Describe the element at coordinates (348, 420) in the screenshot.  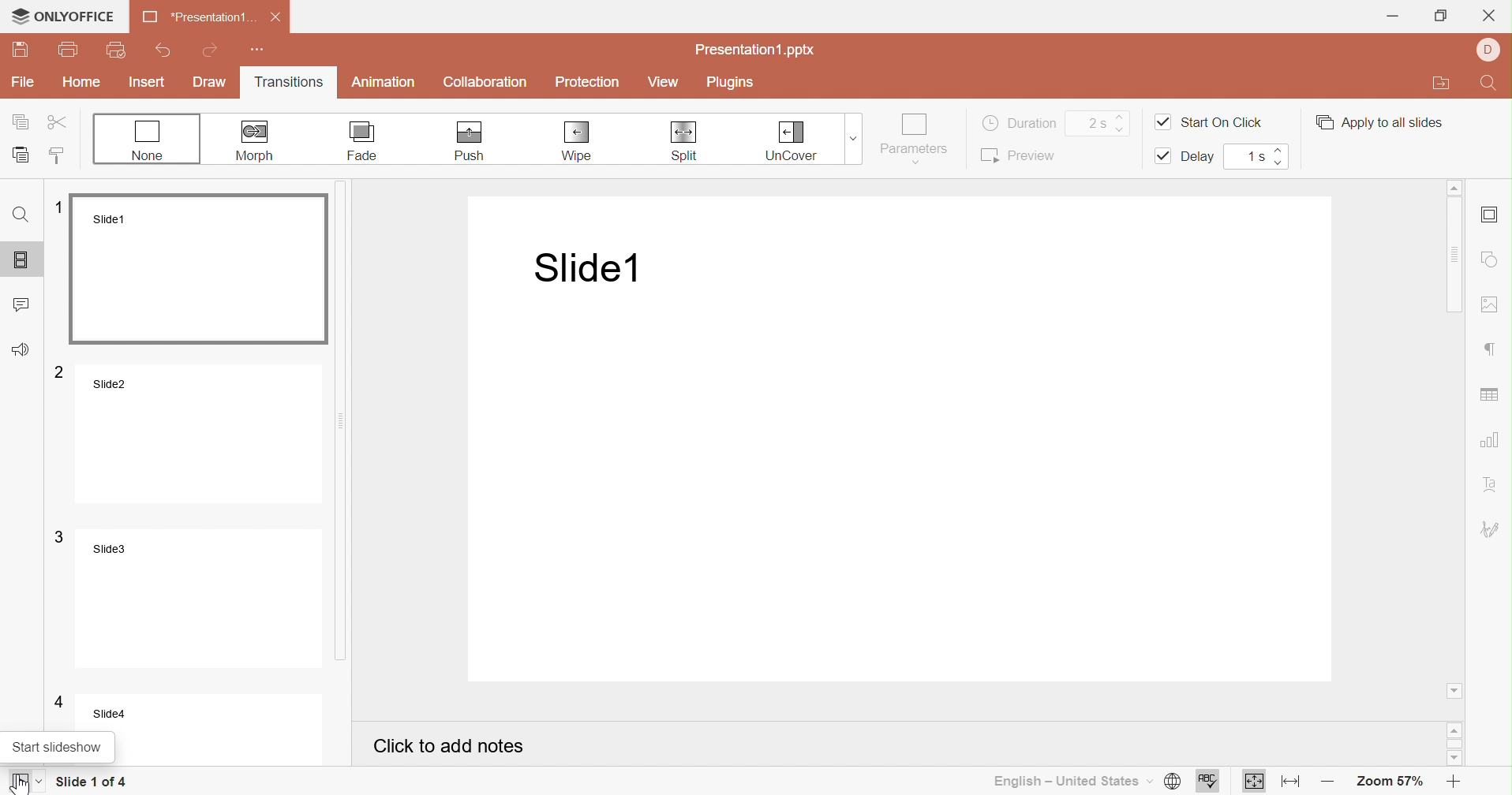
I see `Scroll bar` at that location.